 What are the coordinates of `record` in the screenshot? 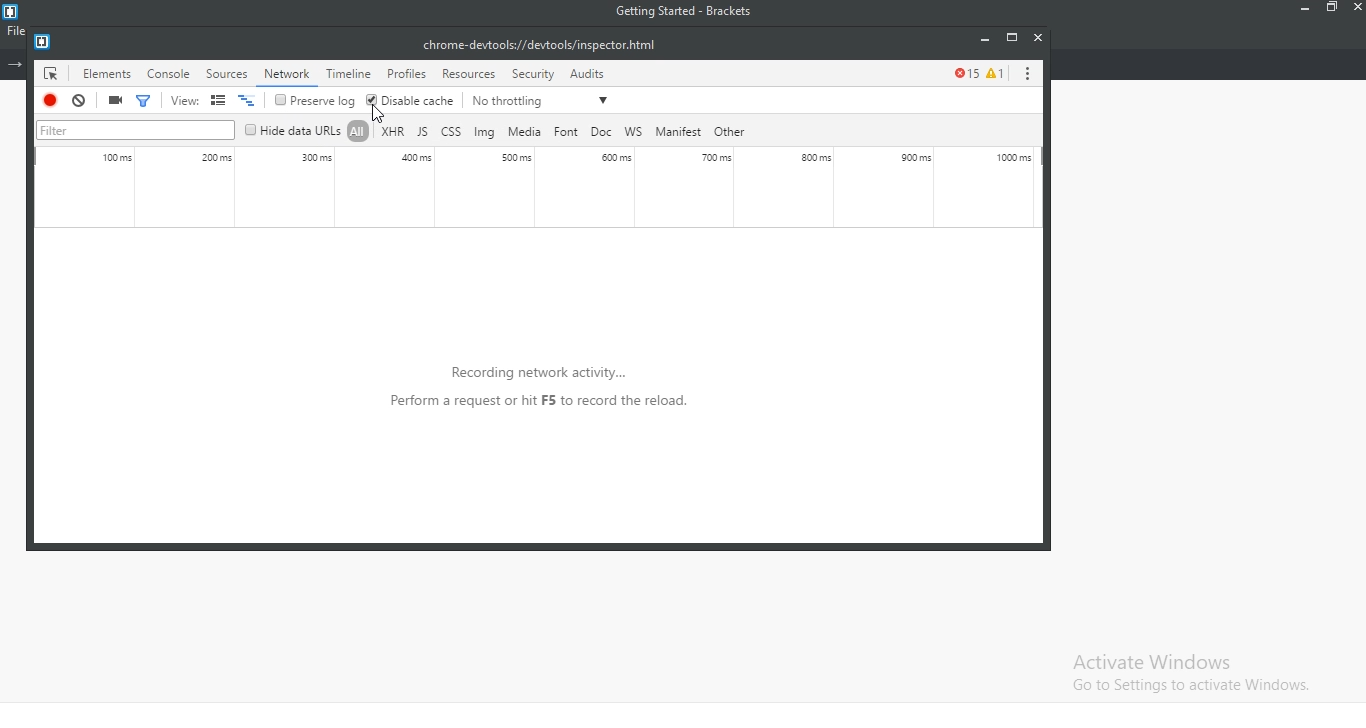 It's located at (115, 100).